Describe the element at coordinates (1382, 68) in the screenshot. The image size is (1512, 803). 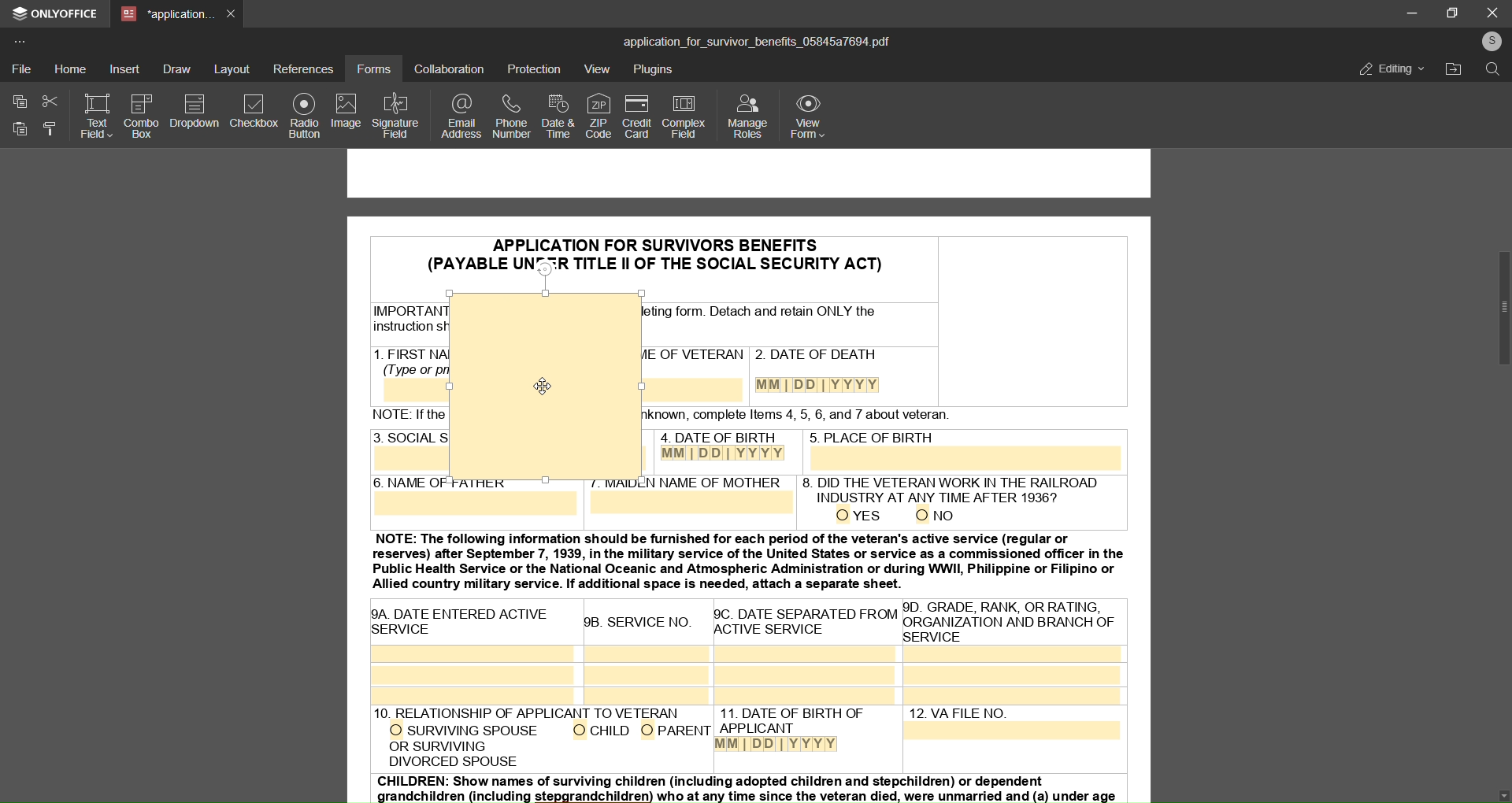
I see `editing` at that location.